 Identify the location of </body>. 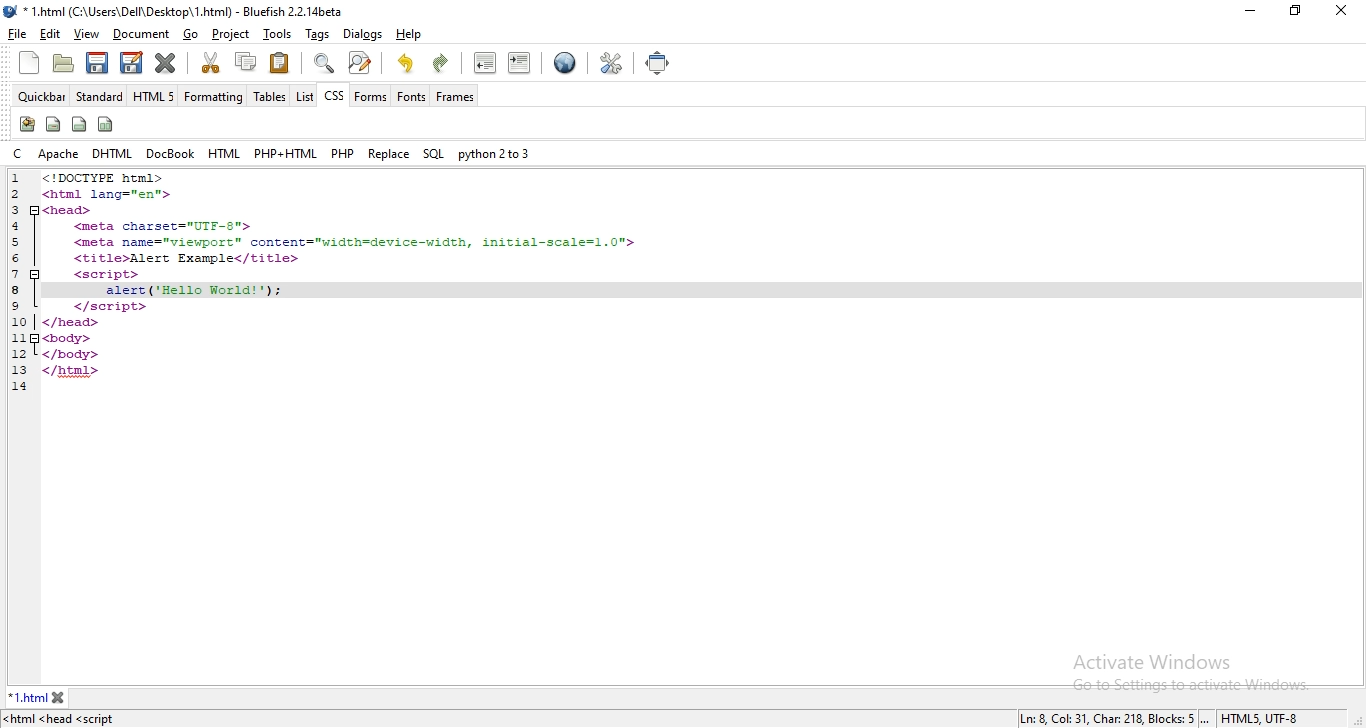
(69, 353).